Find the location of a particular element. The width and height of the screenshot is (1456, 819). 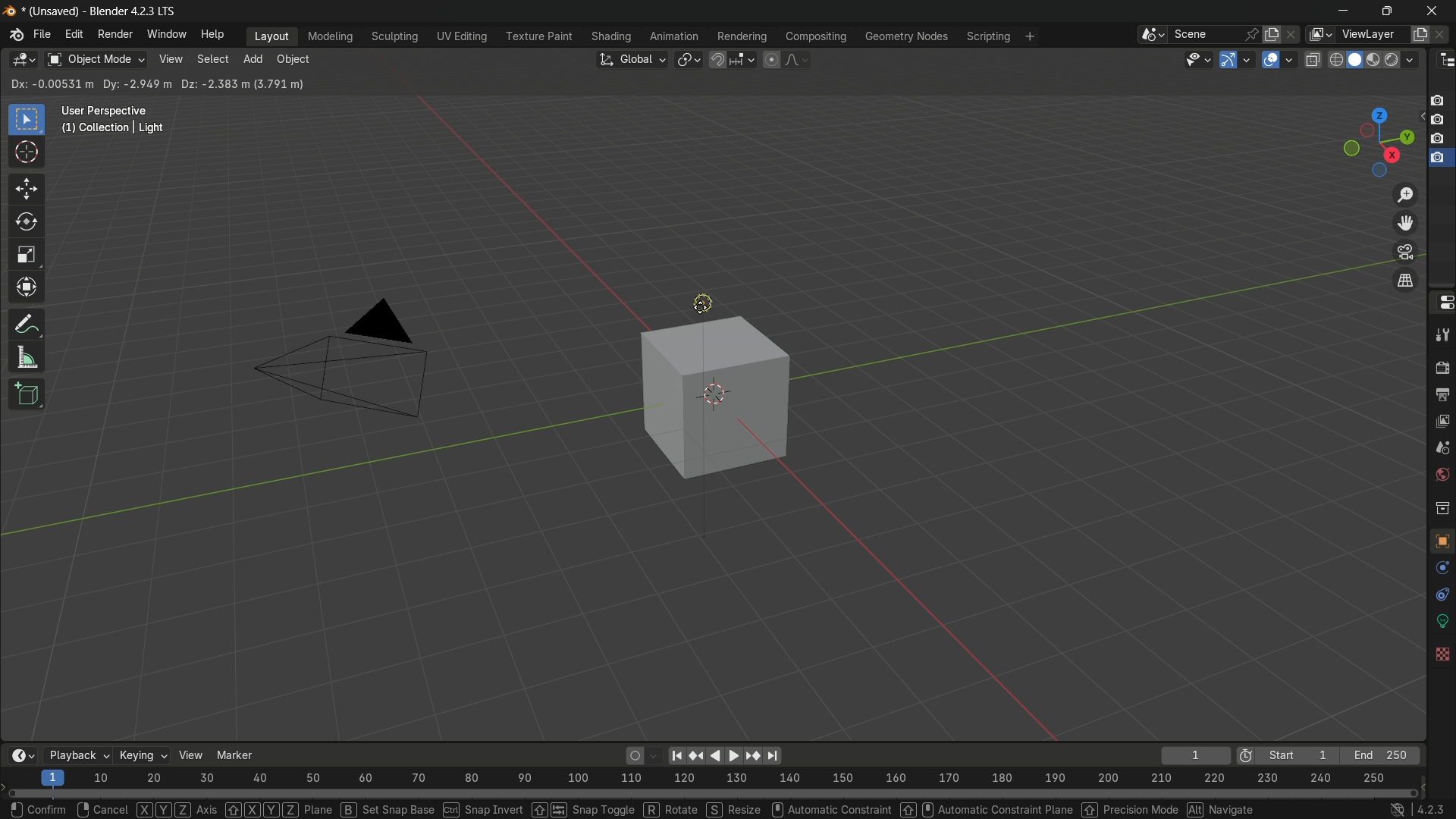

view layer is located at coordinates (1442, 420).